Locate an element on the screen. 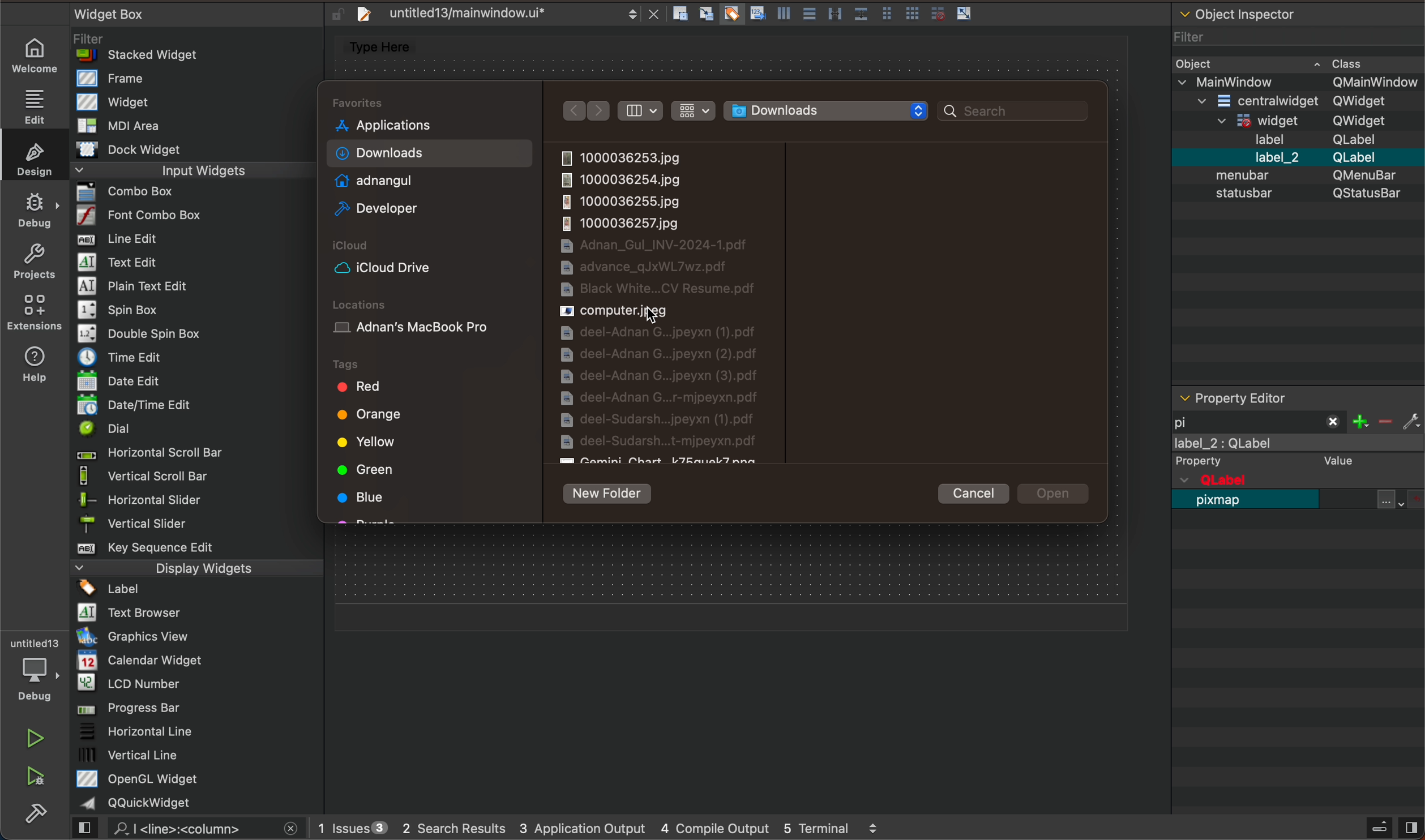 The image size is (1425, 840). filter is located at coordinates (1389, 419).